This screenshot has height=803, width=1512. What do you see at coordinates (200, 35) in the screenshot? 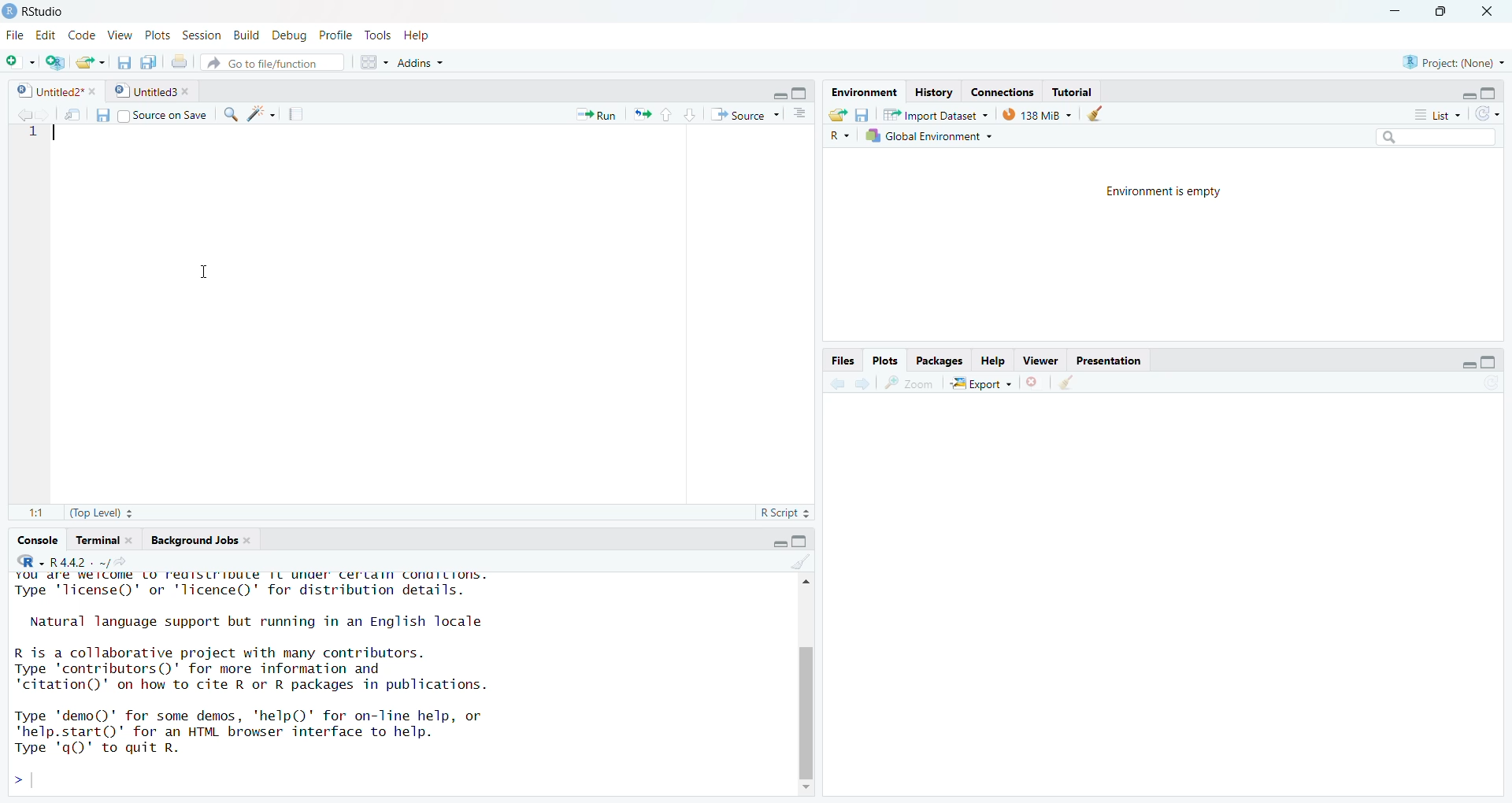
I see `ts Session` at bounding box center [200, 35].